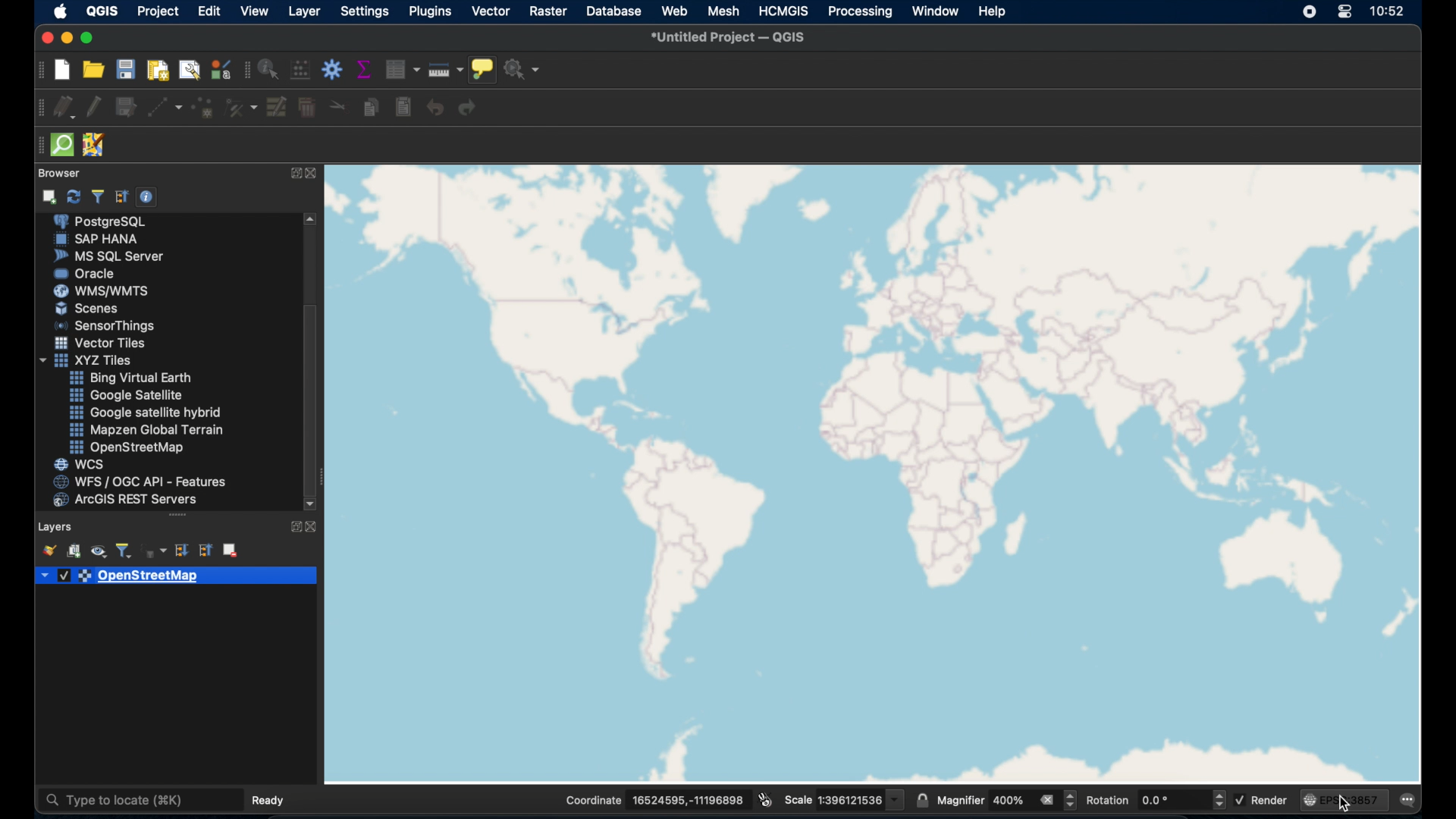  I want to click on project, so click(156, 11).